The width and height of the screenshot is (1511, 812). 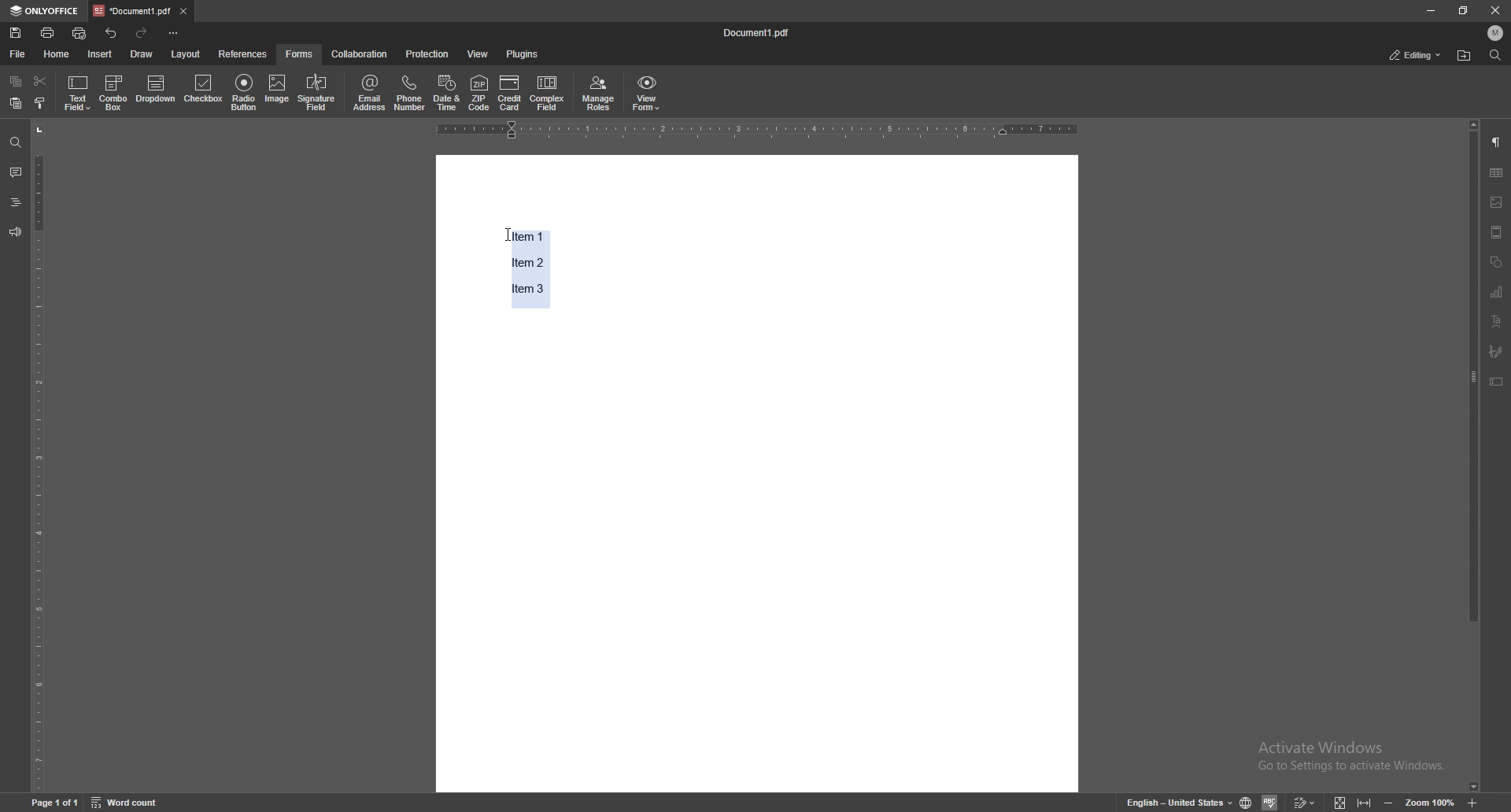 I want to click on zoom in, so click(x=1472, y=802).